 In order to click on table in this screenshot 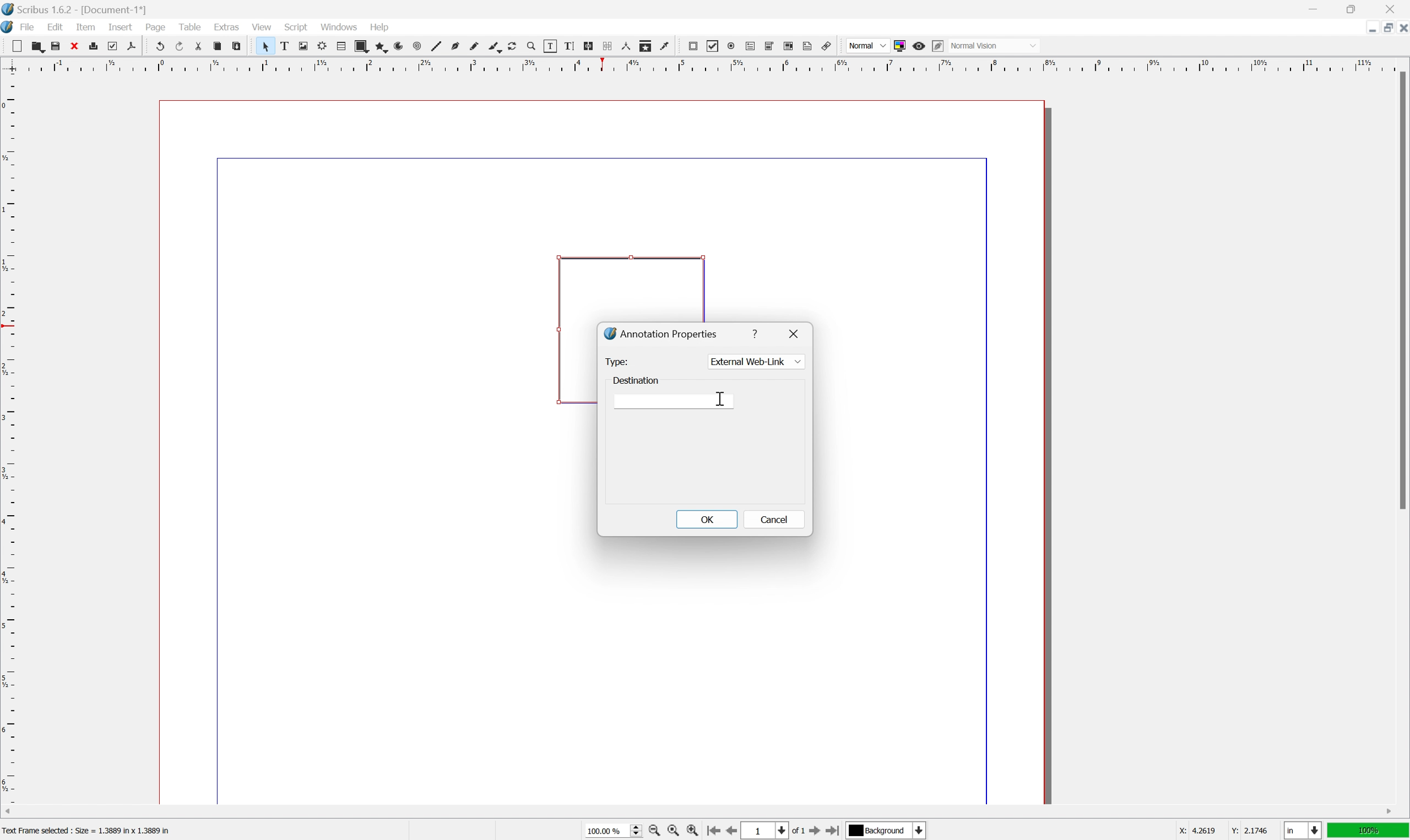, I will do `click(341, 46)`.